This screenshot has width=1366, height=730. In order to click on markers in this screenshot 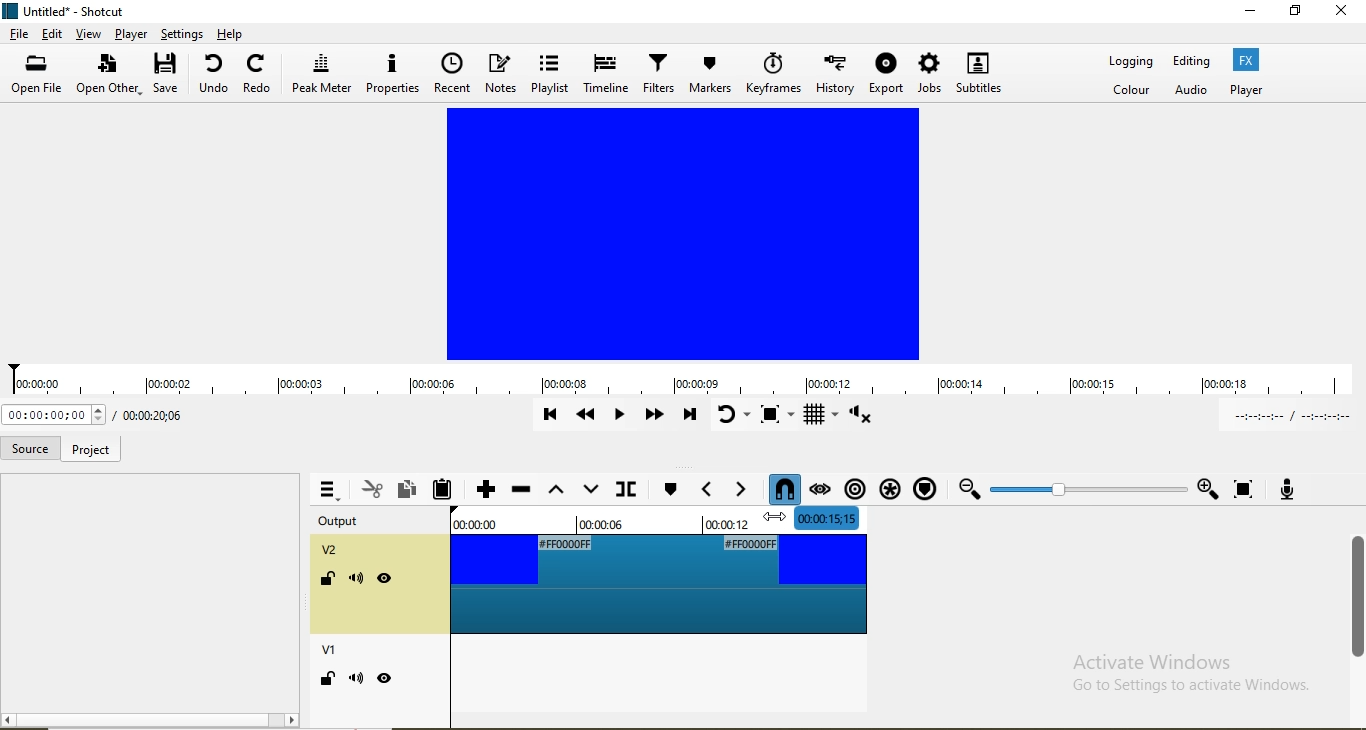, I will do `click(710, 74)`.